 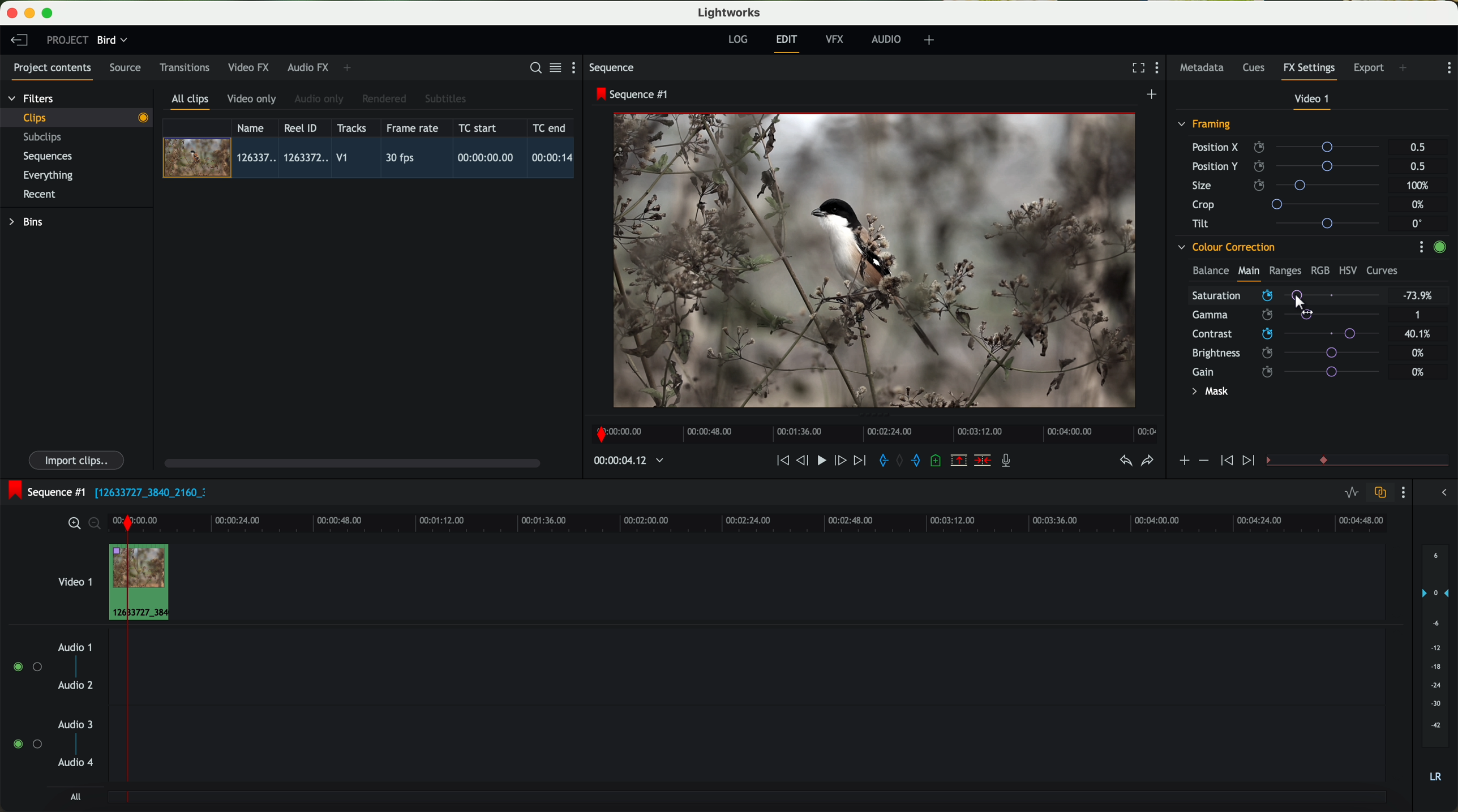 I want to click on 0.5, so click(x=1418, y=148).